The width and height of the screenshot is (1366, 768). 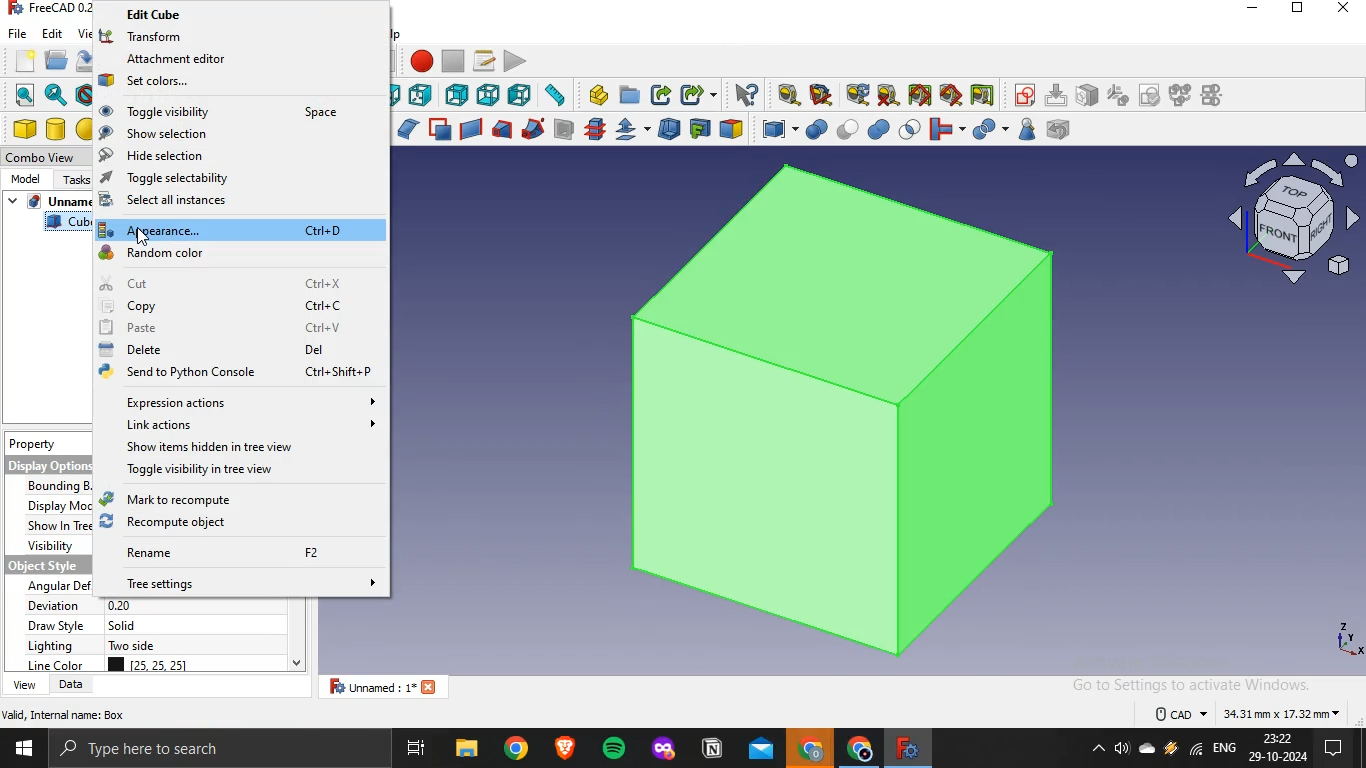 I want to click on select all instances, so click(x=236, y=201).